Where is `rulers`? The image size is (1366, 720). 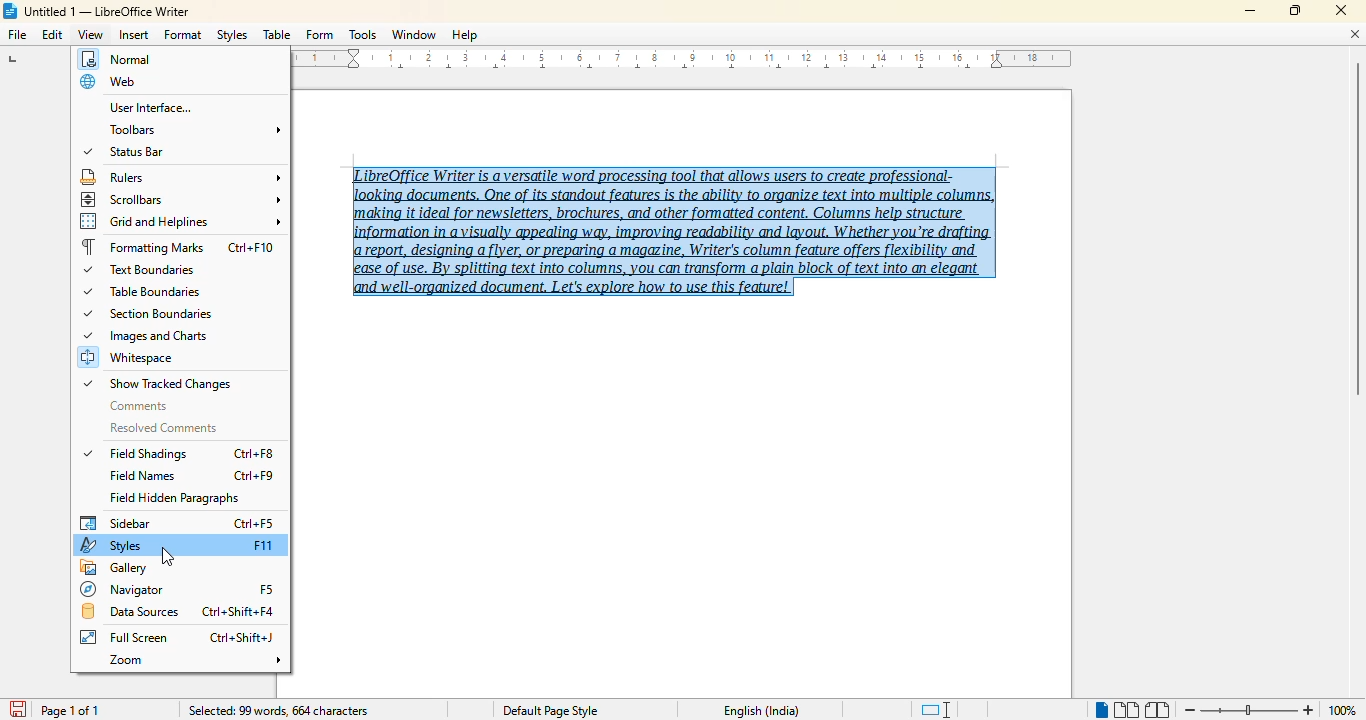 rulers is located at coordinates (181, 176).